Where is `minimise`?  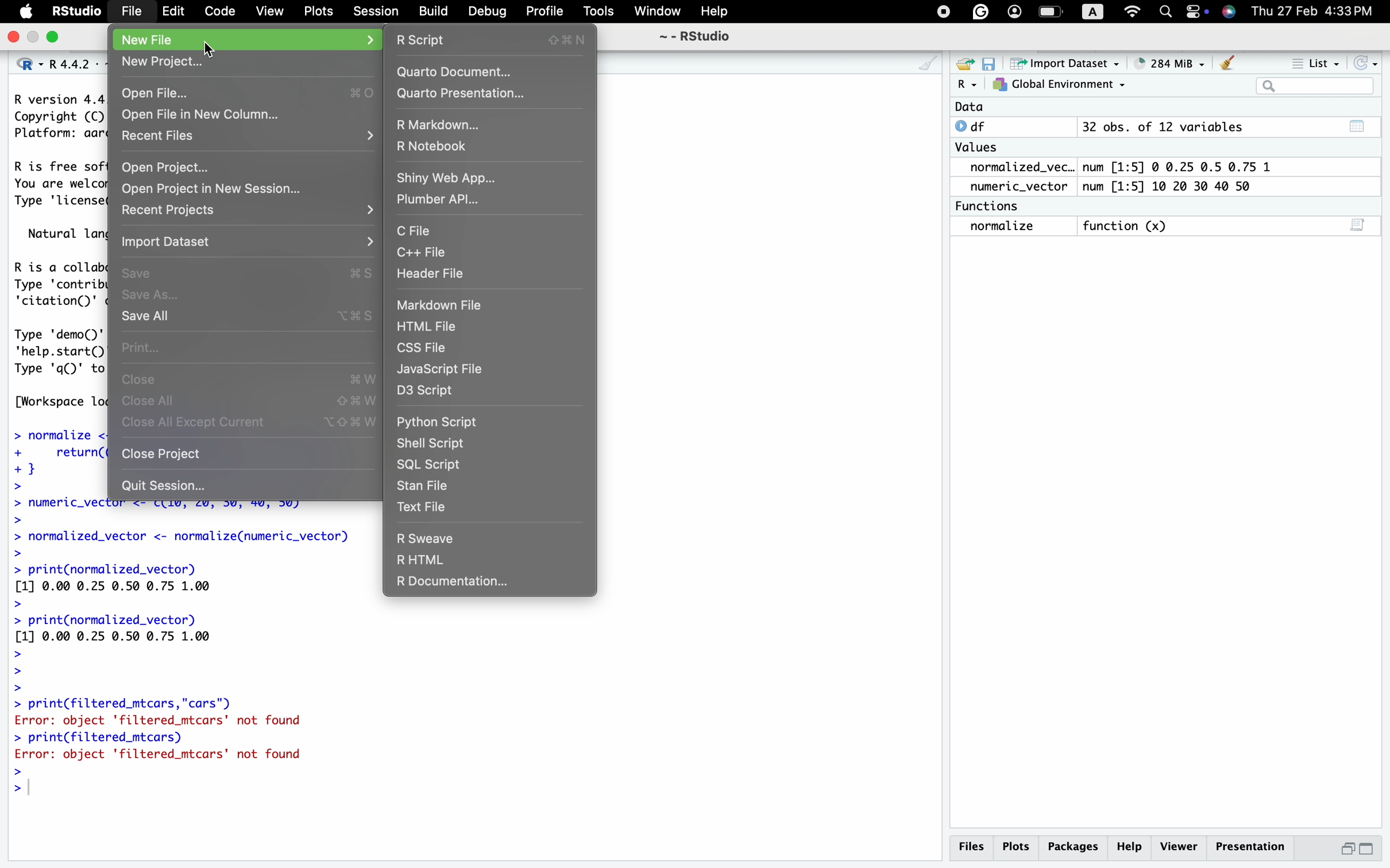
minimise is located at coordinates (1349, 847).